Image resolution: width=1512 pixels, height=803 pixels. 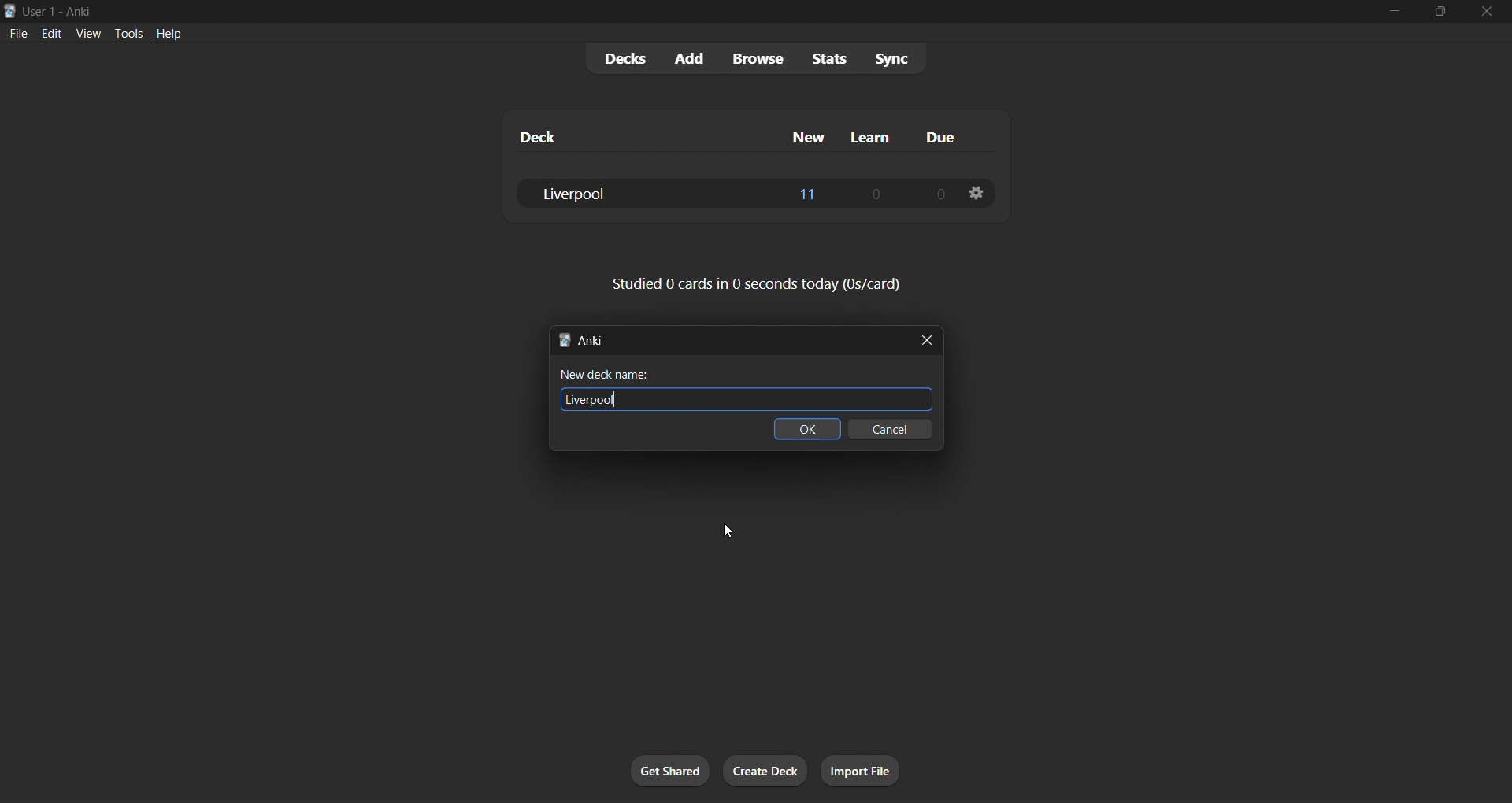 What do you see at coordinates (52, 32) in the screenshot?
I see `edit` at bounding box center [52, 32].